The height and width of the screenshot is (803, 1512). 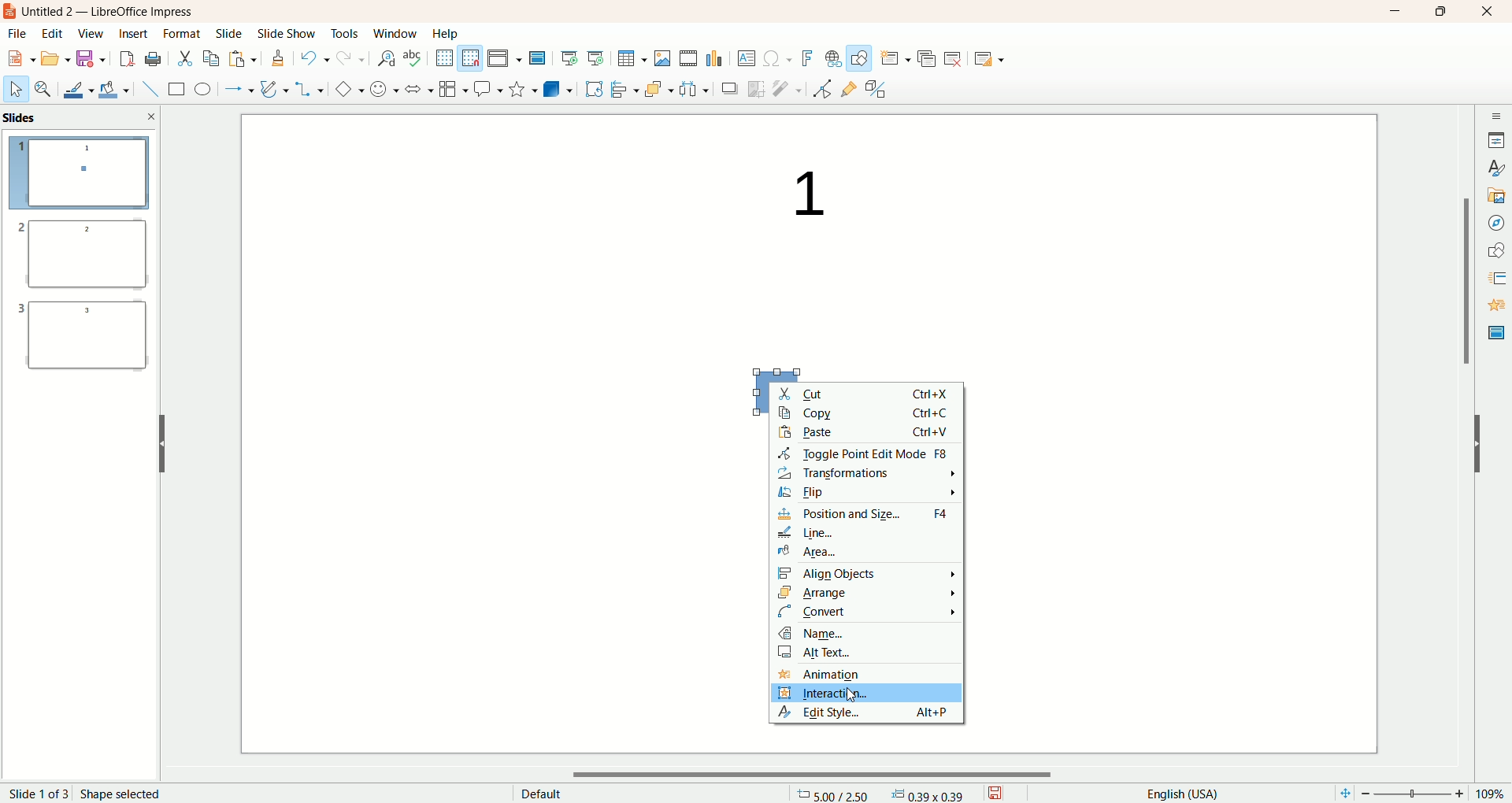 What do you see at coordinates (202, 91) in the screenshot?
I see `ellipse` at bounding box center [202, 91].